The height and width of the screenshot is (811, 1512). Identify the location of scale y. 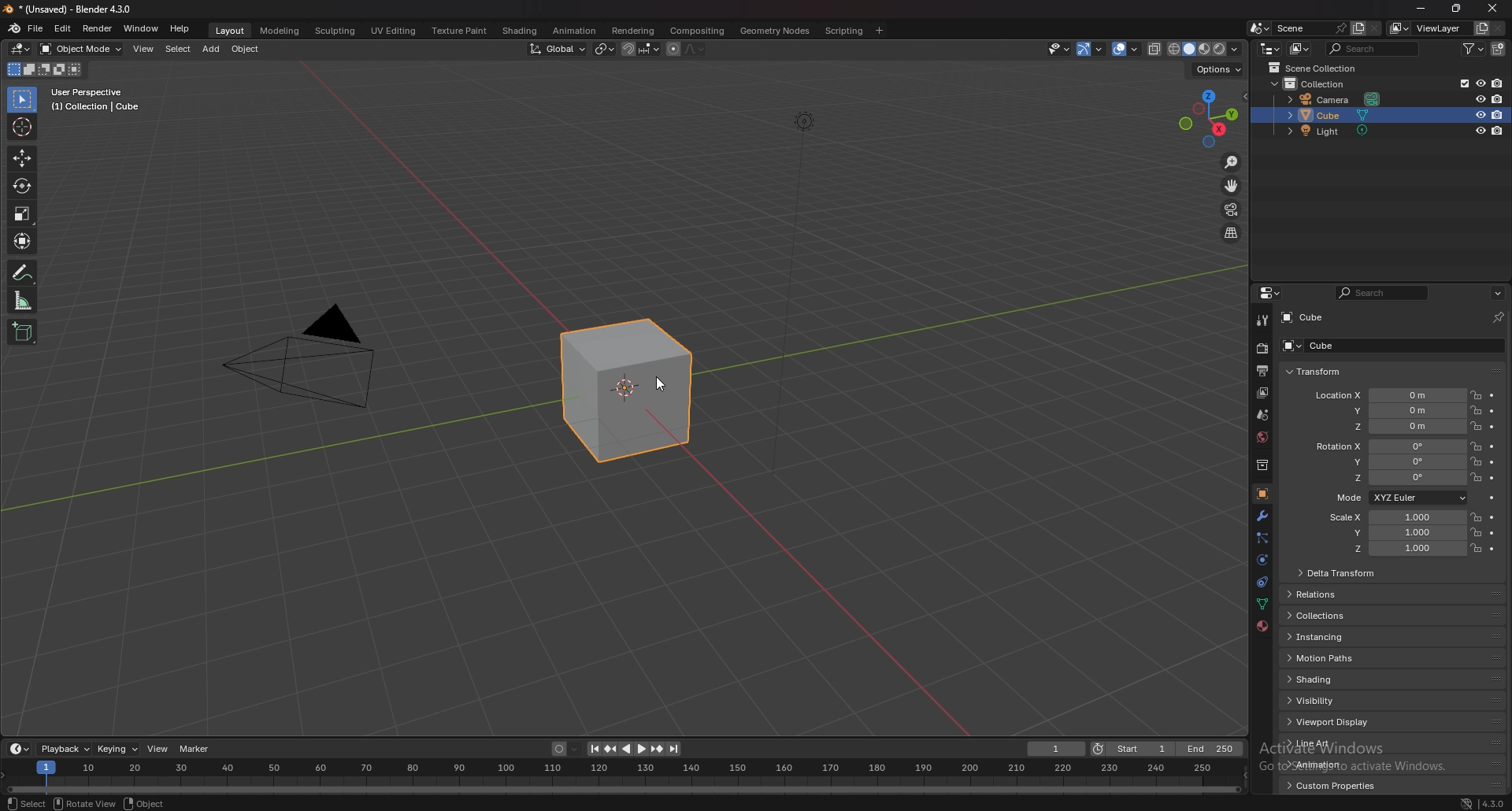
(1394, 533).